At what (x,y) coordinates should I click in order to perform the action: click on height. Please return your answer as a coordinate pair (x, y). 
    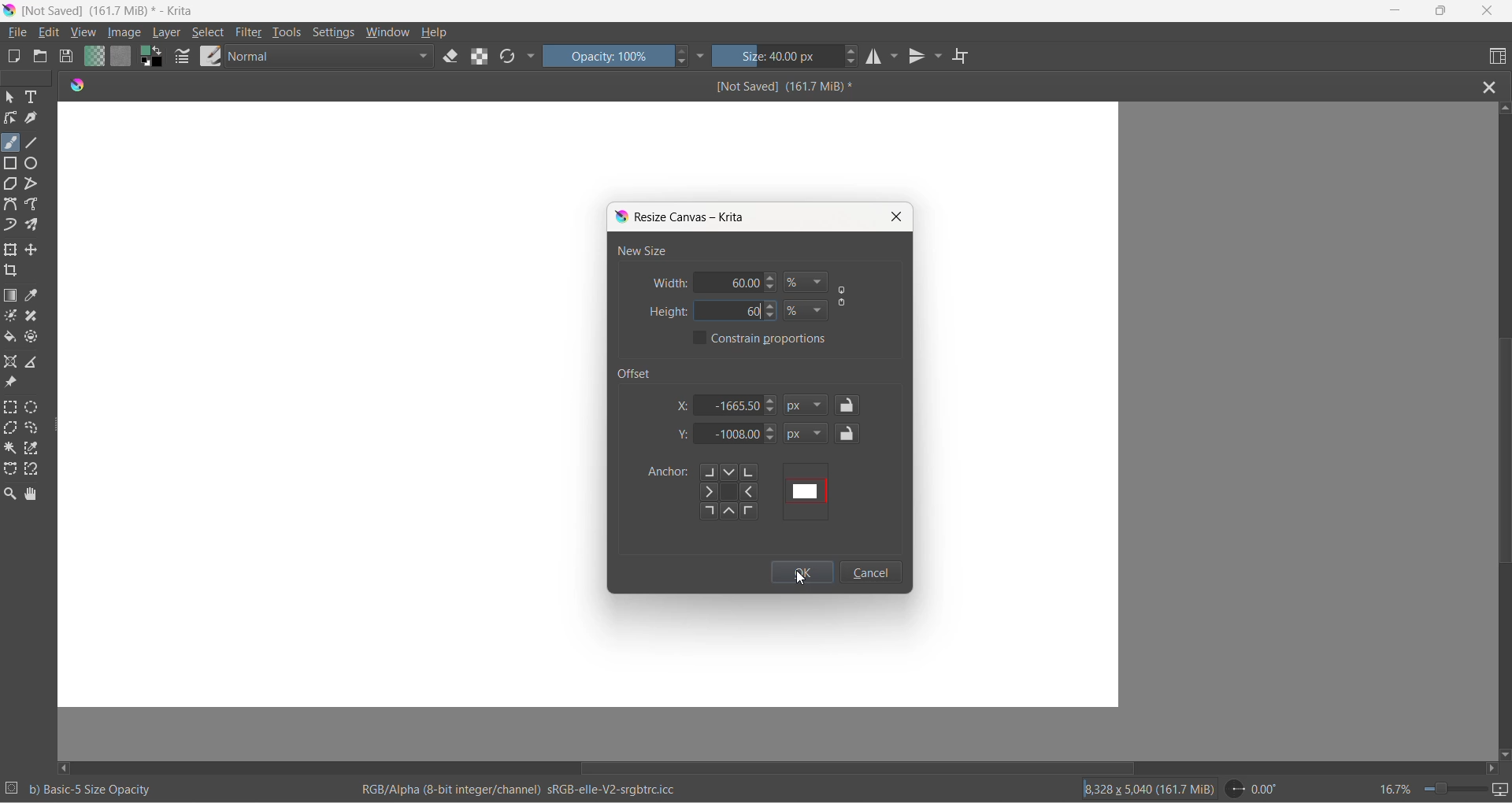
    Looking at the image, I should click on (668, 312).